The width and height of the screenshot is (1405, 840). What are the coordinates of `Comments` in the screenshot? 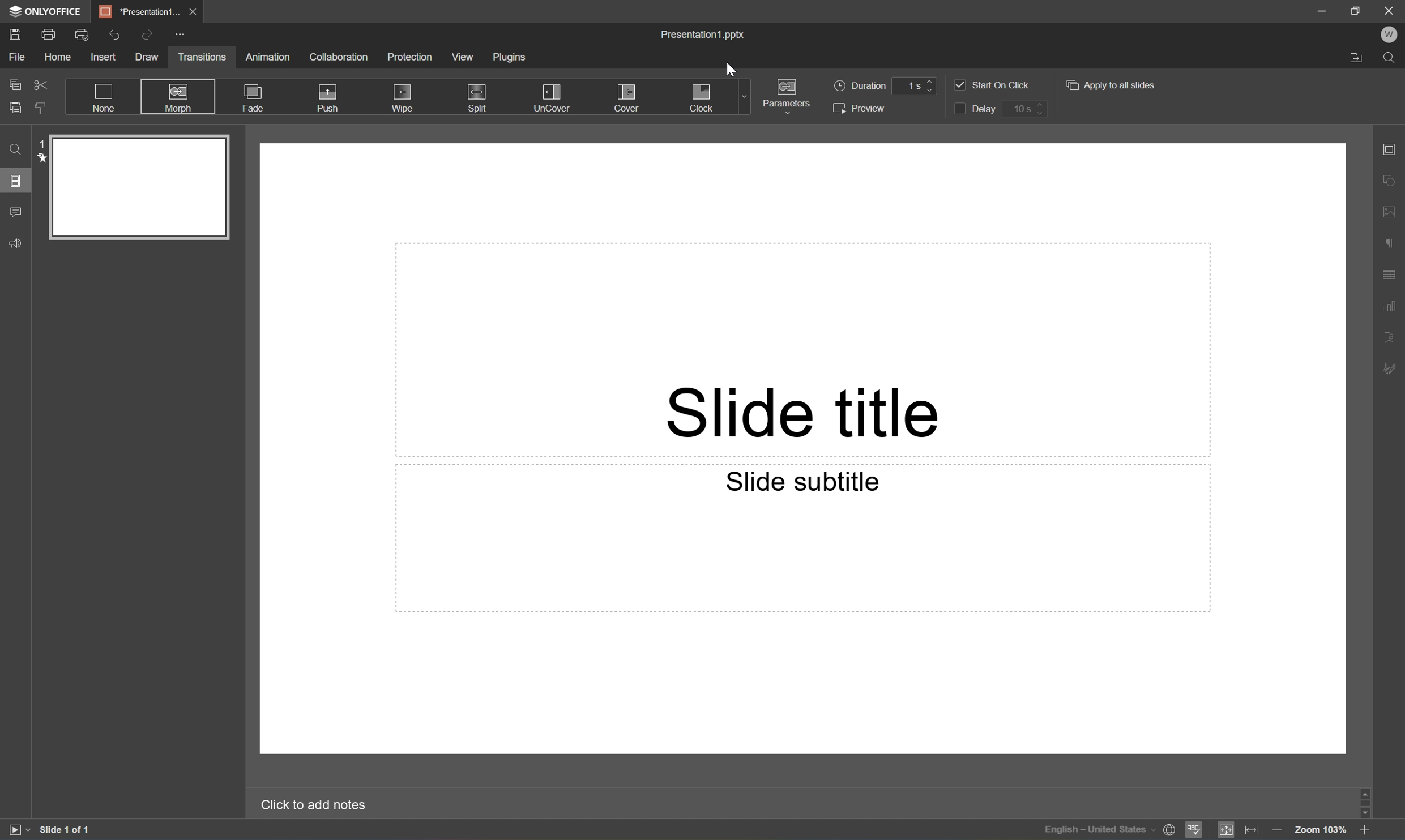 It's located at (15, 213).